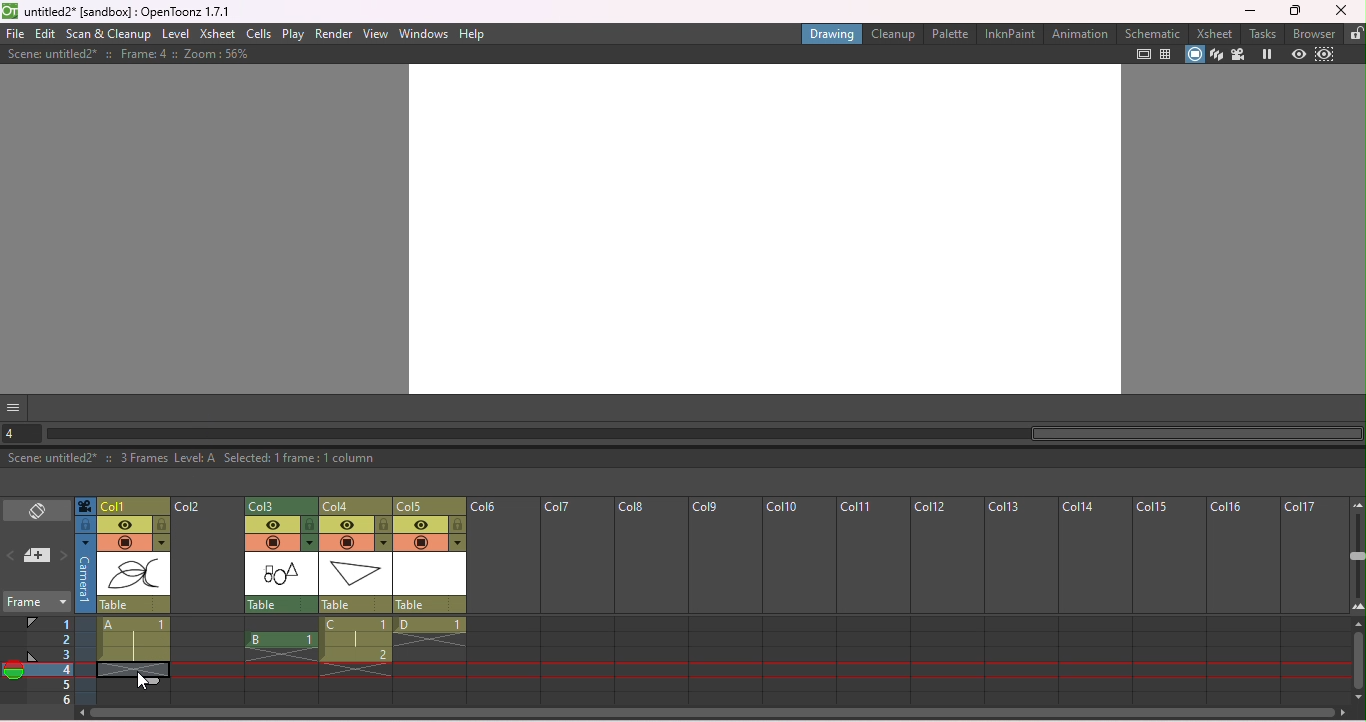  I want to click on column 4, so click(355, 505).